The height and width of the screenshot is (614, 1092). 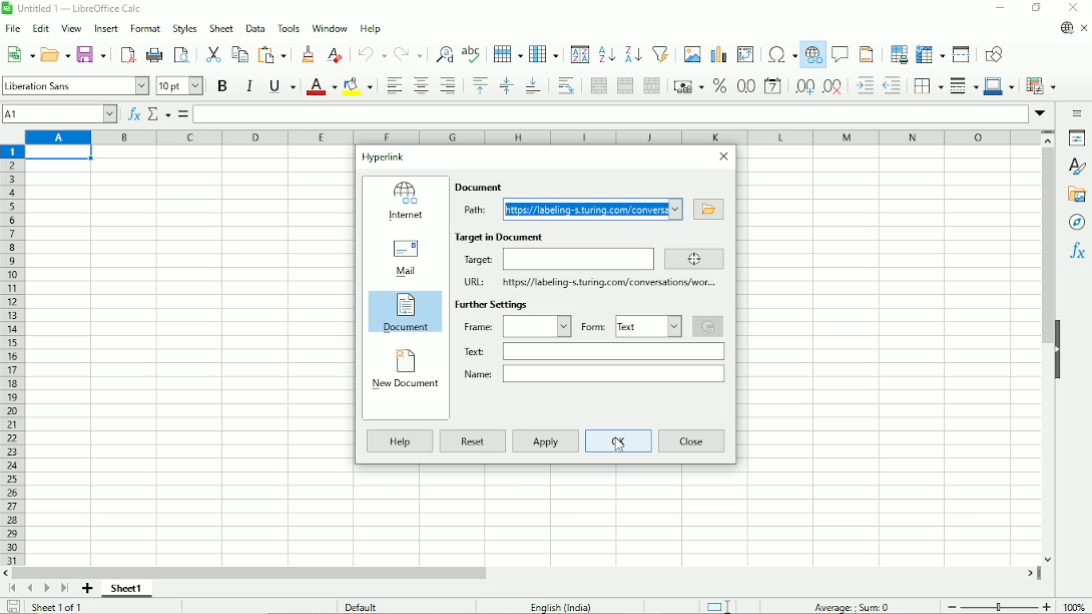 I want to click on Increase indent, so click(x=863, y=86).